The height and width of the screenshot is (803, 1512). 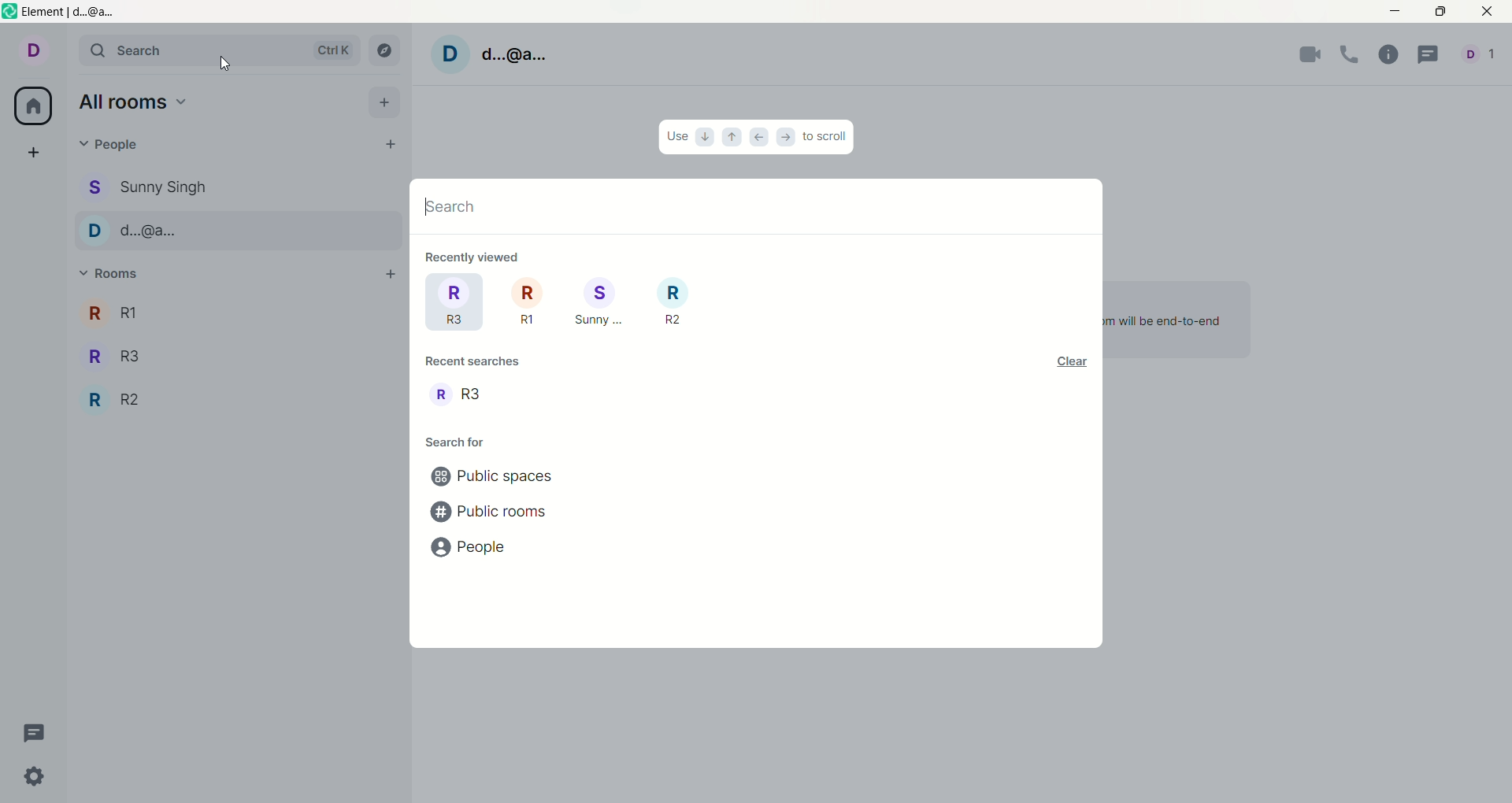 I want to click on left arrow key, so click(x=759, y=138).